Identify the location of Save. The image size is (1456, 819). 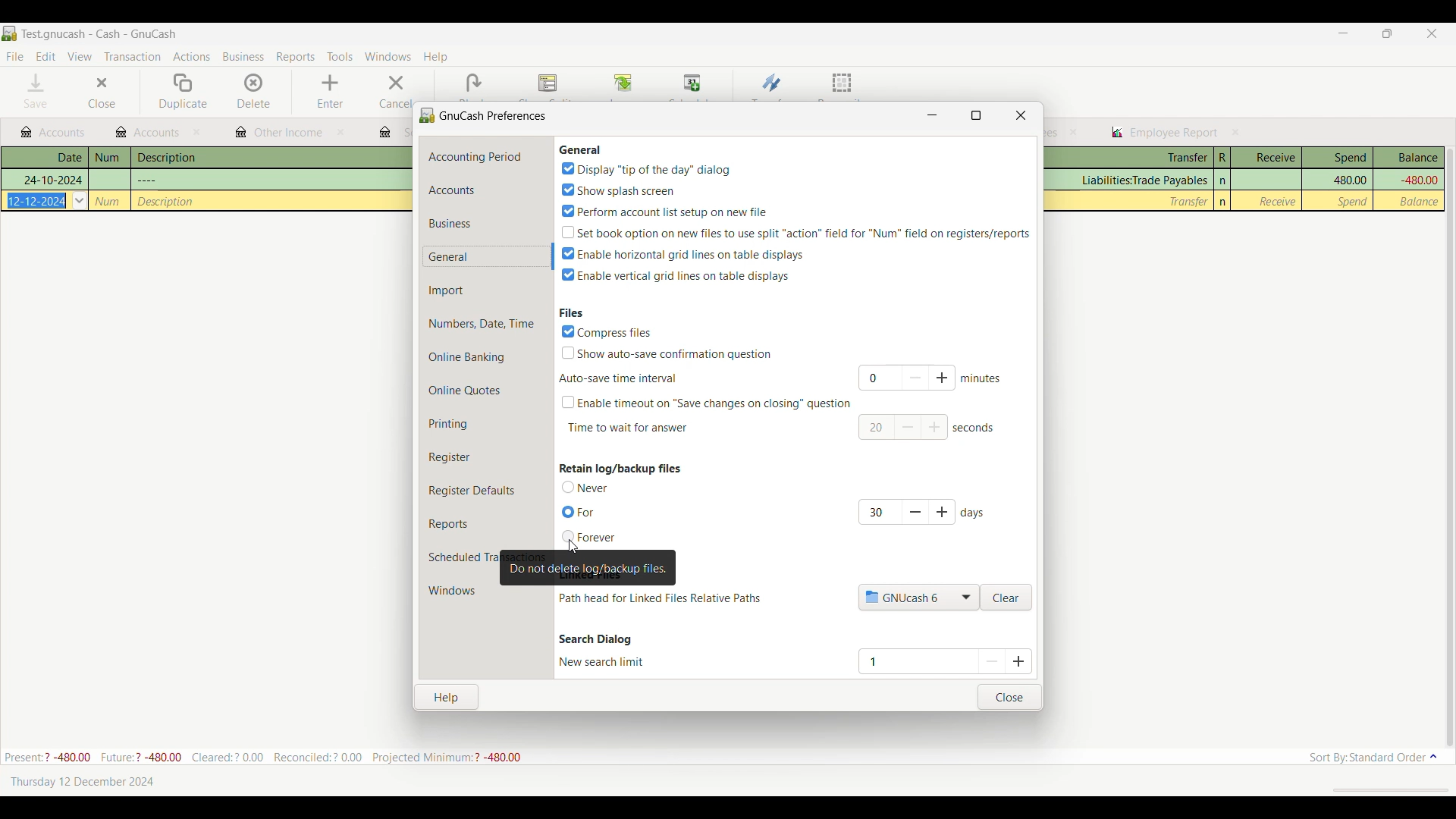
(36, 90).